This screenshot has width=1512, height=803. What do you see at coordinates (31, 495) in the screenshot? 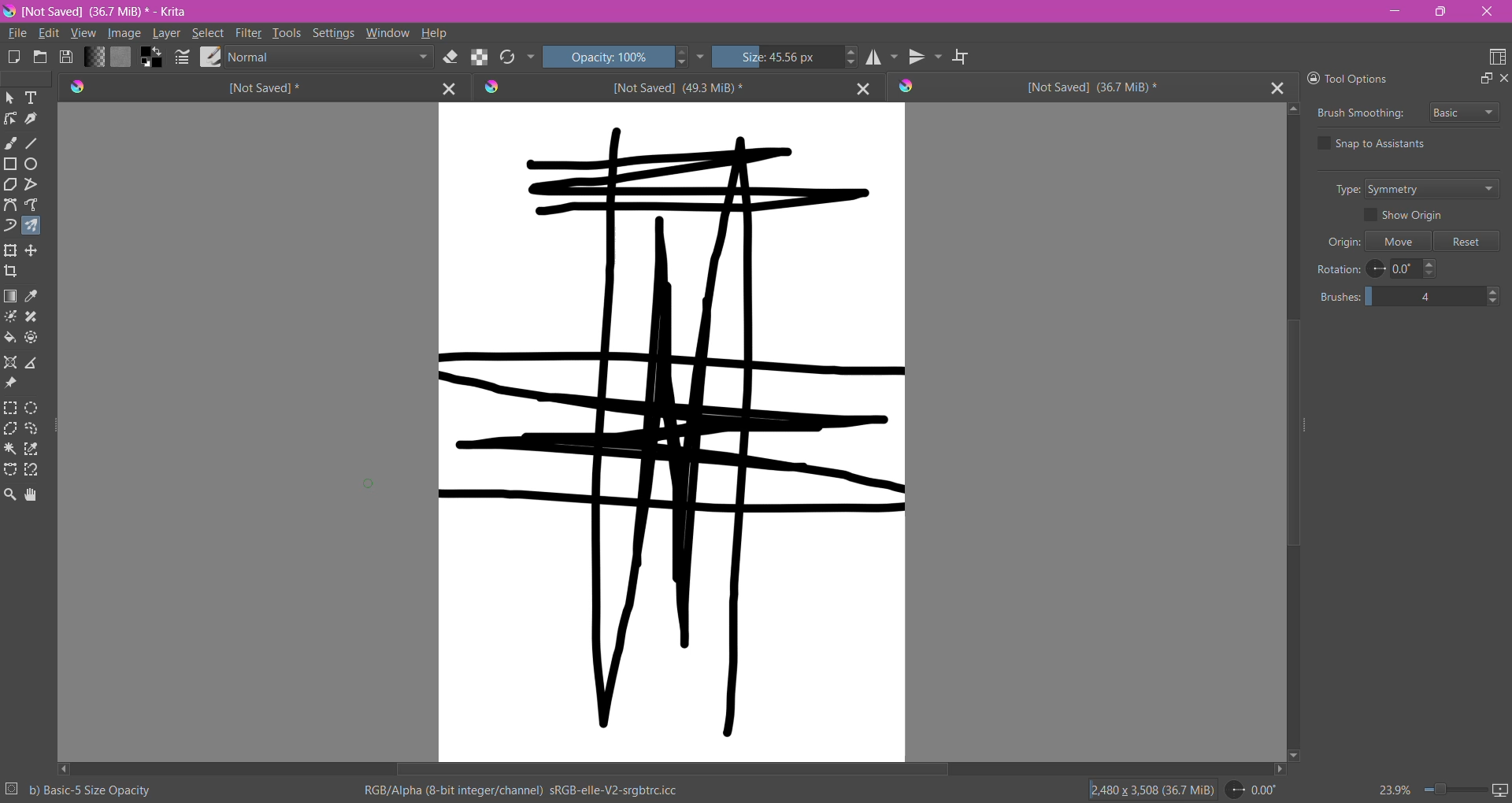
I see `Pan Tool` at bounding box center [31, 495].